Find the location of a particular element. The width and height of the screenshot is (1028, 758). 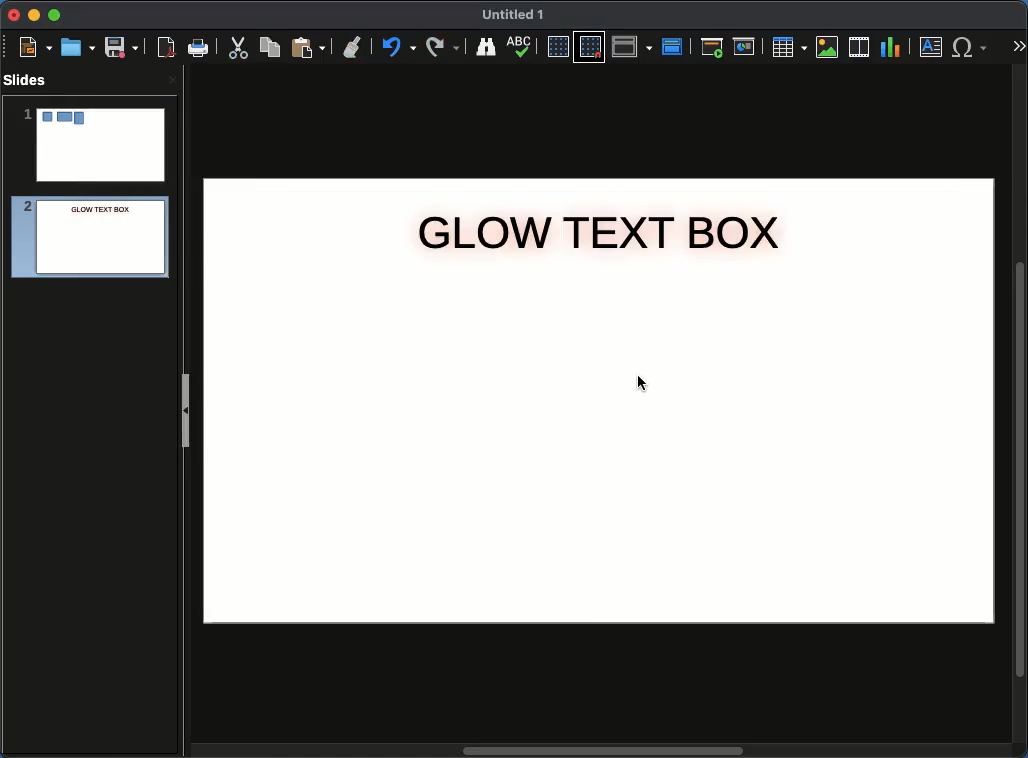

More is located at coordinates (1018, 48).